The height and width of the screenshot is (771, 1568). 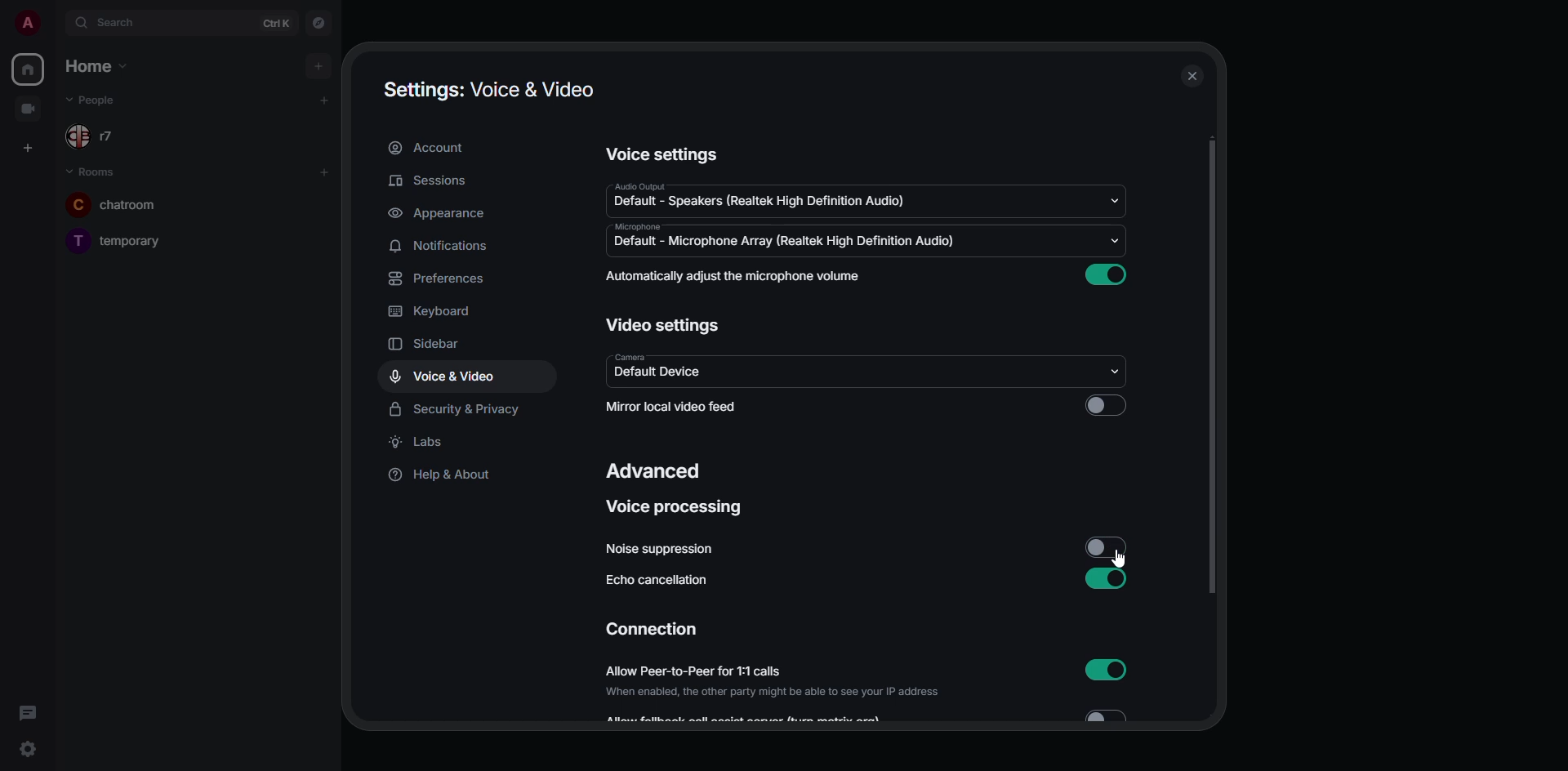 I want to click on settings voice & video, so click(x=490, y=91).